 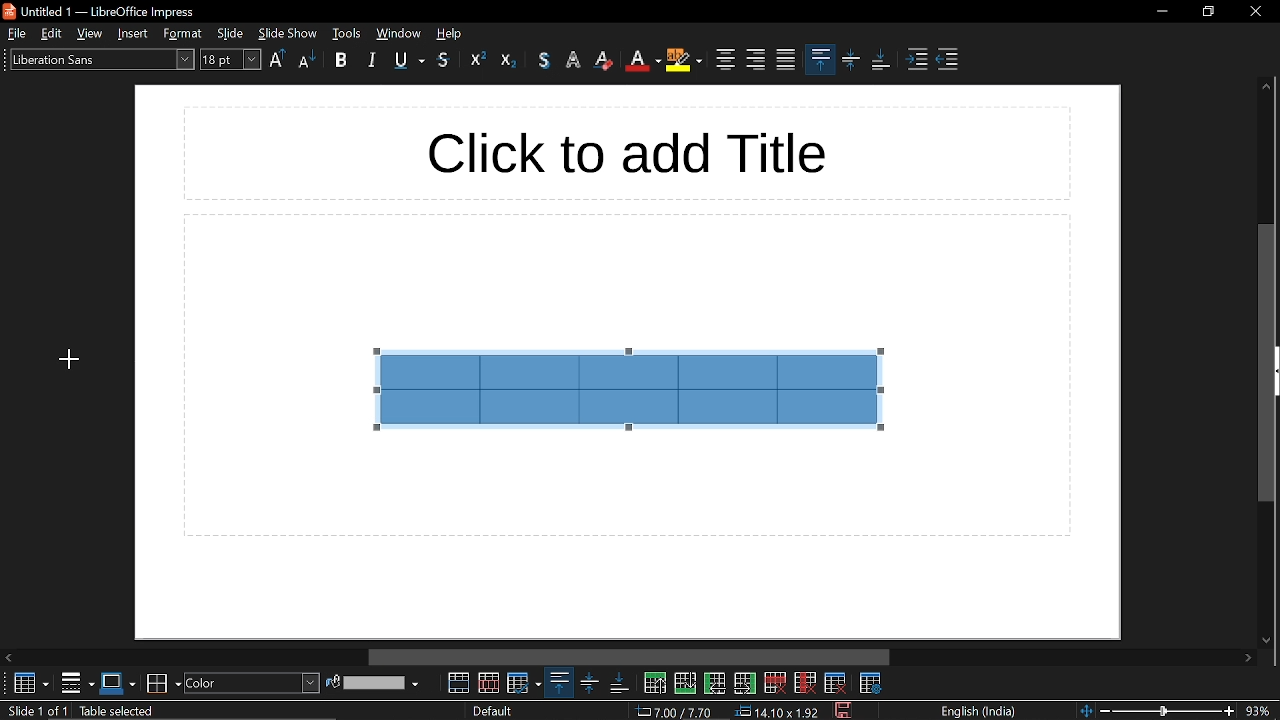 I want to click on text color, so click(x=543, y=60).